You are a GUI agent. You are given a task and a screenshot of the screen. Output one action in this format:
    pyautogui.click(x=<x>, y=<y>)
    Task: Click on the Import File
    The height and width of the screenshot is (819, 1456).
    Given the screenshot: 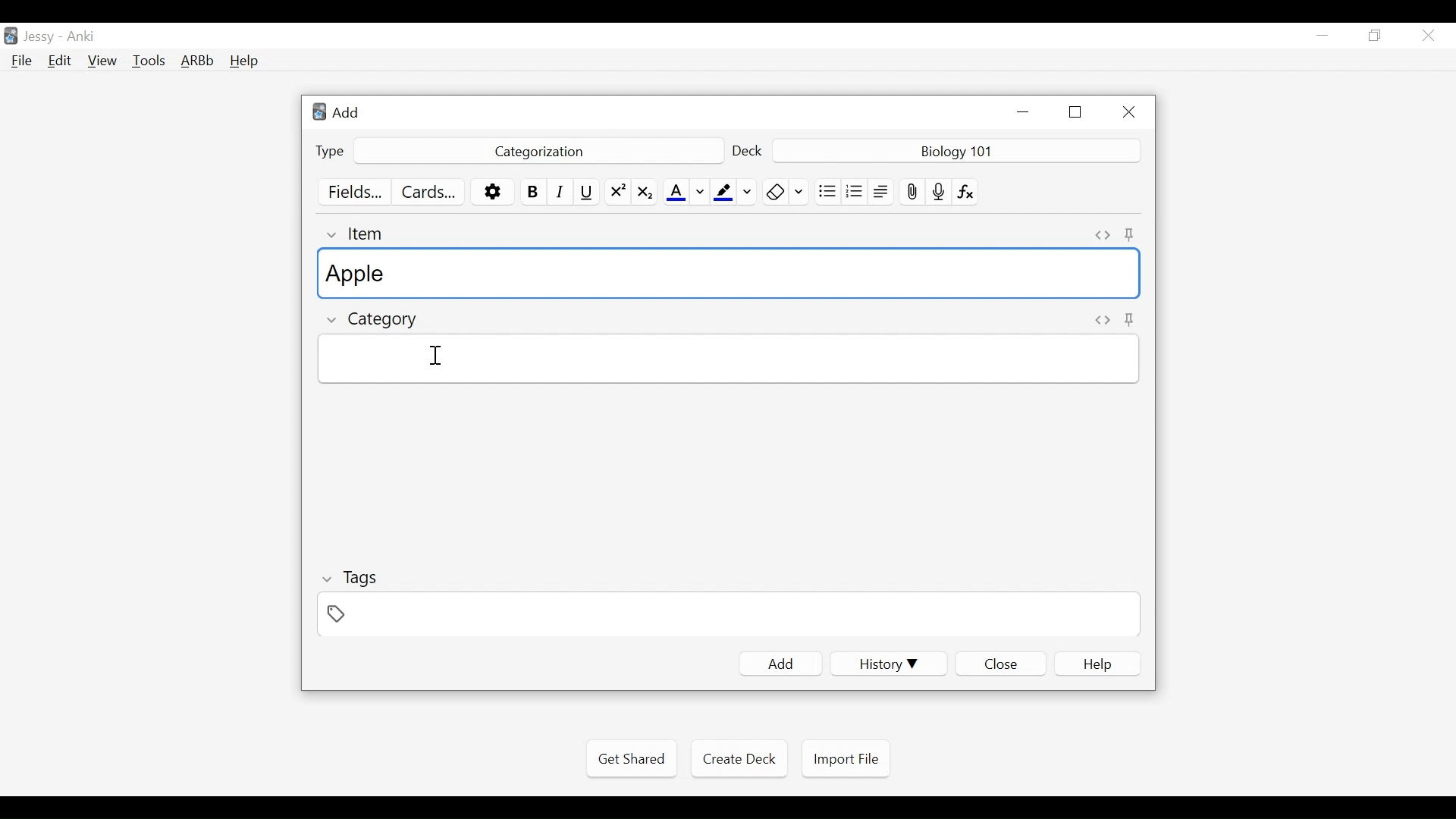 What is the action you would take?
    pyautogui.click(x=846, y=759)
    